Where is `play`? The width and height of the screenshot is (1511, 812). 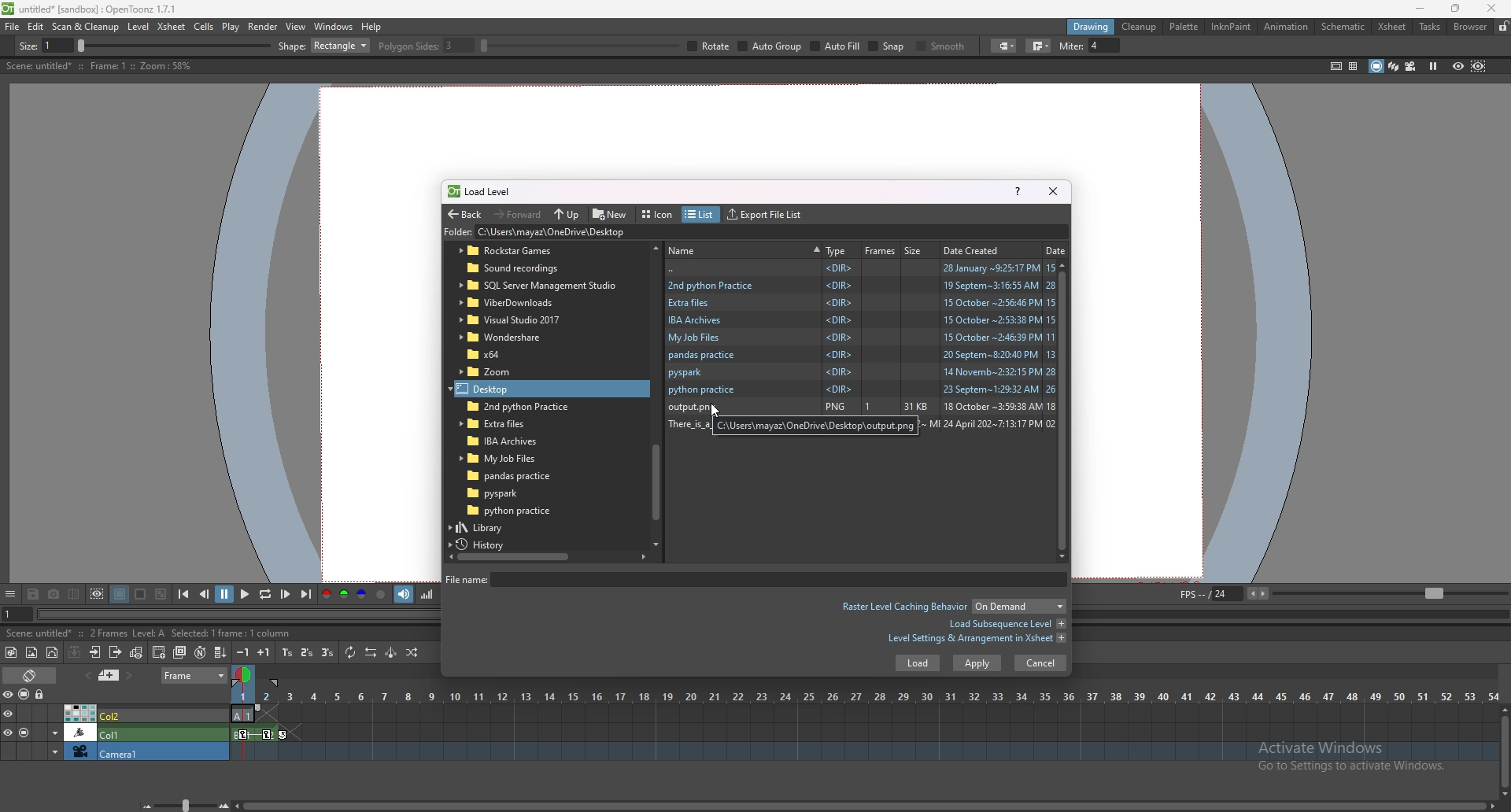
play is located at coordinates (246, 593).